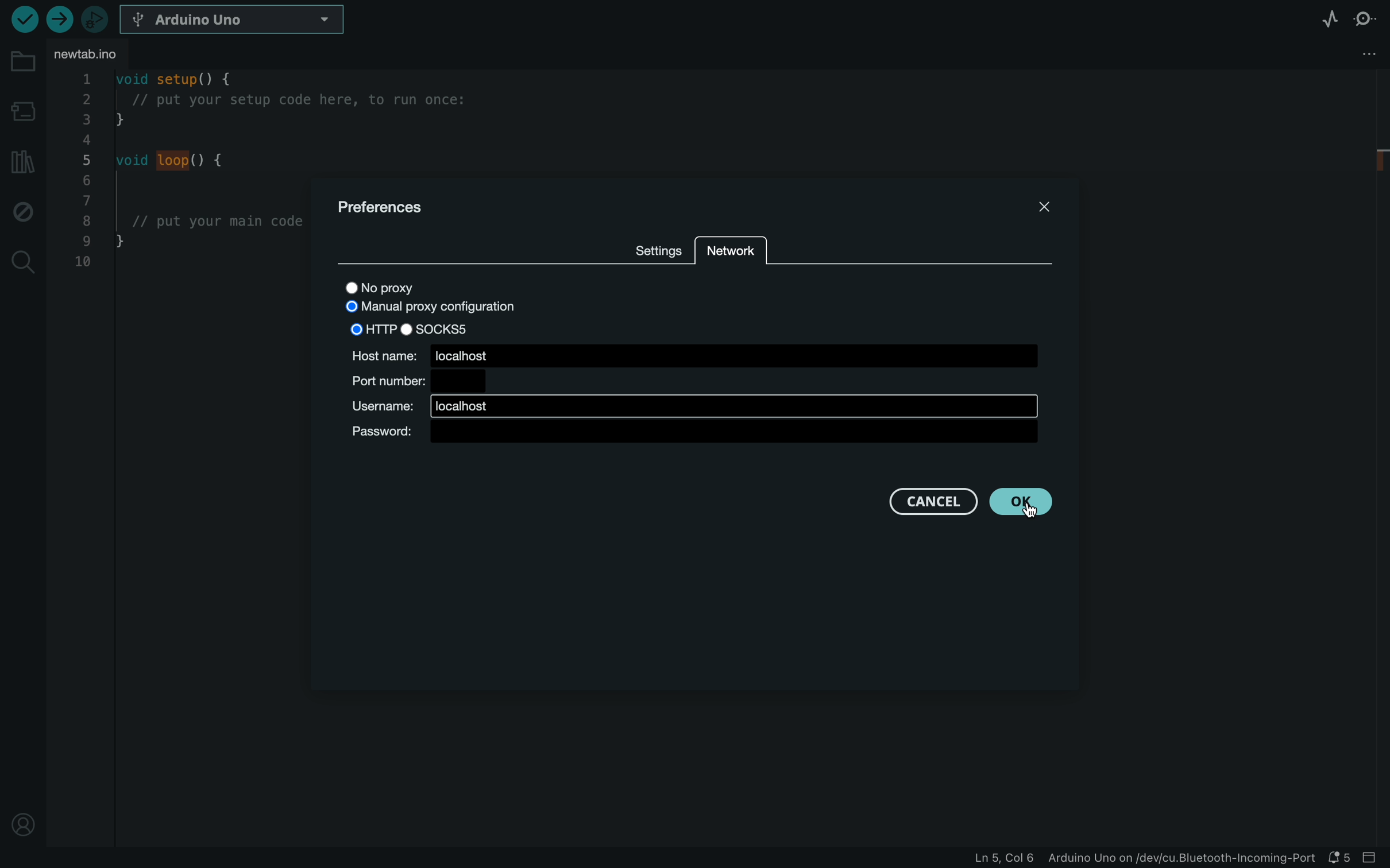  I want to click on board selecter, so click(235, 20).